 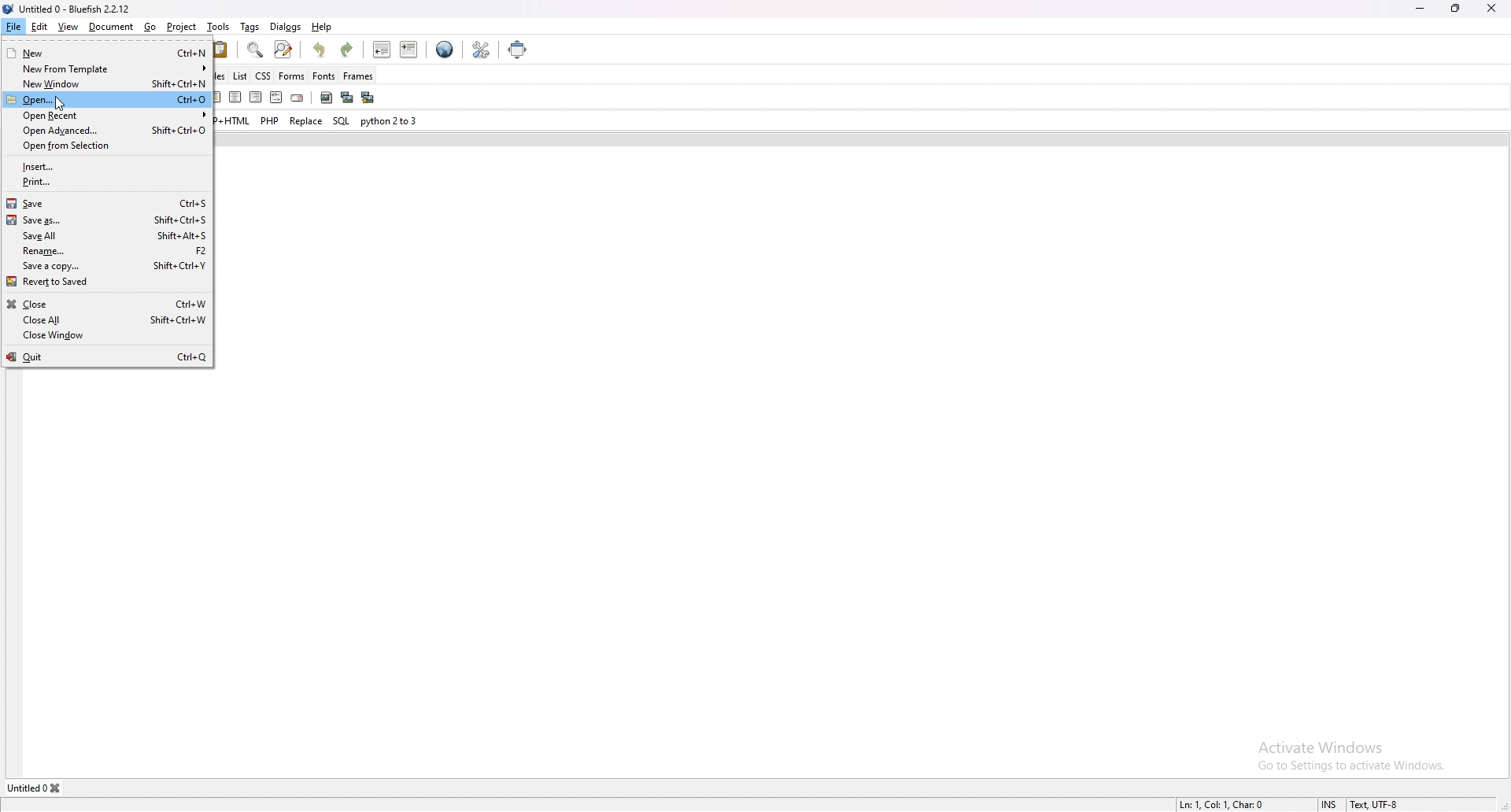 What do you see at coordinates (221, 49) in the screenshot?
I see `paste` at bounding box center [221, 49].